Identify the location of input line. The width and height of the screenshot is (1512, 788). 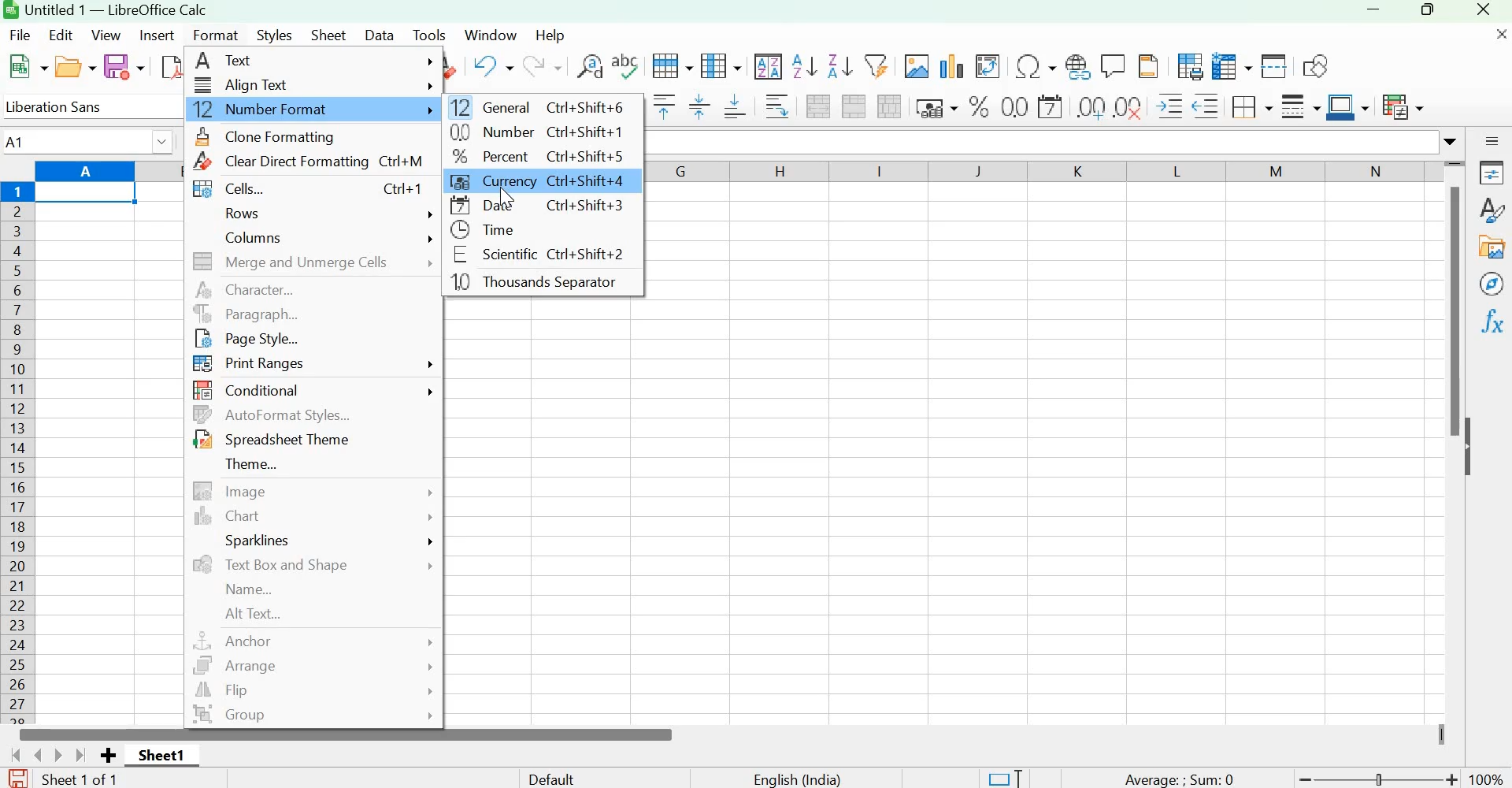
(1041, 142).